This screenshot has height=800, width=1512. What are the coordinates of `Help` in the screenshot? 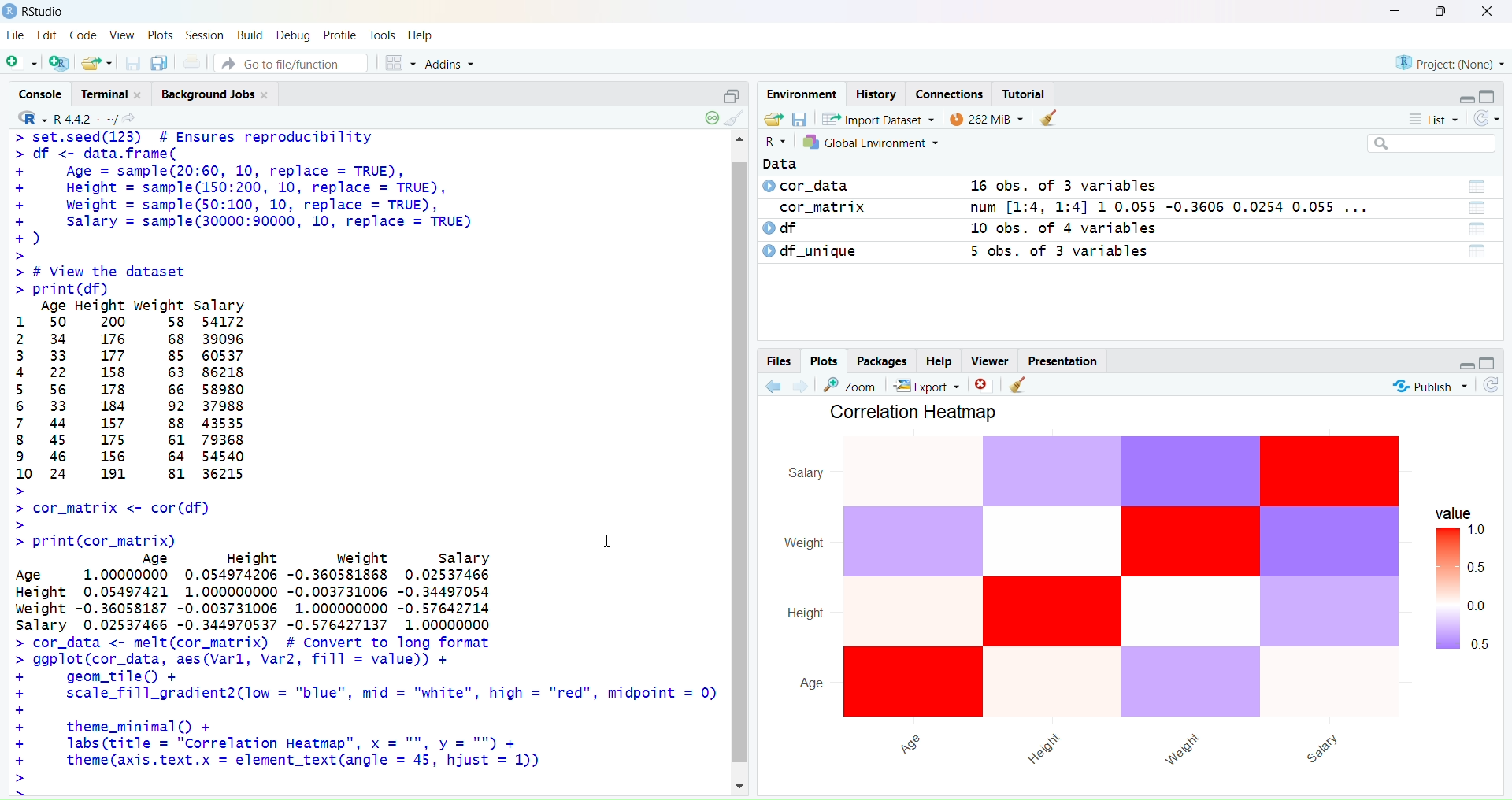 It's located at (940, 359).